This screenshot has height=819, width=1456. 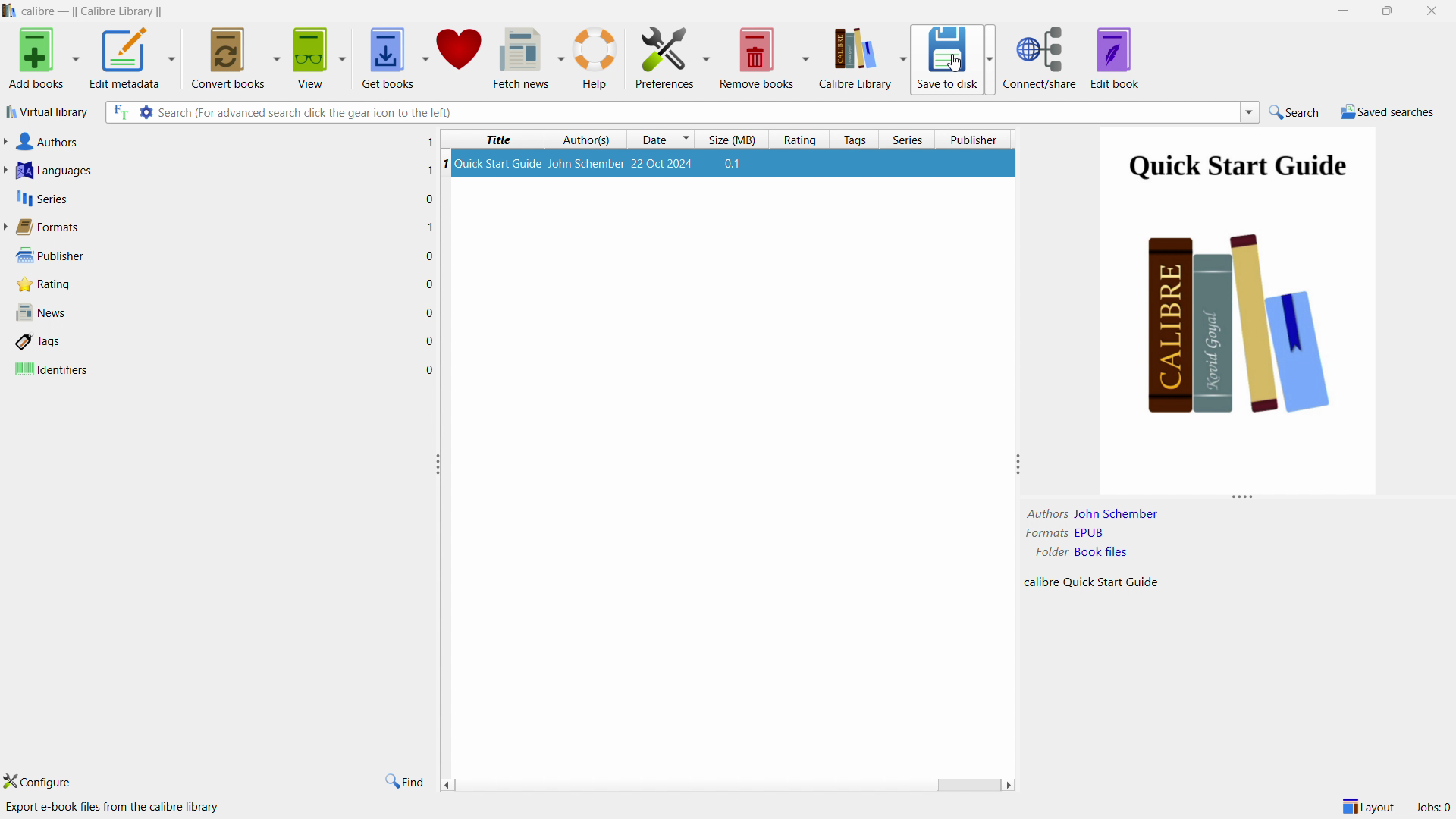 I want to click on calibre — || Calibre Library ||, so click(x=99, y=11).